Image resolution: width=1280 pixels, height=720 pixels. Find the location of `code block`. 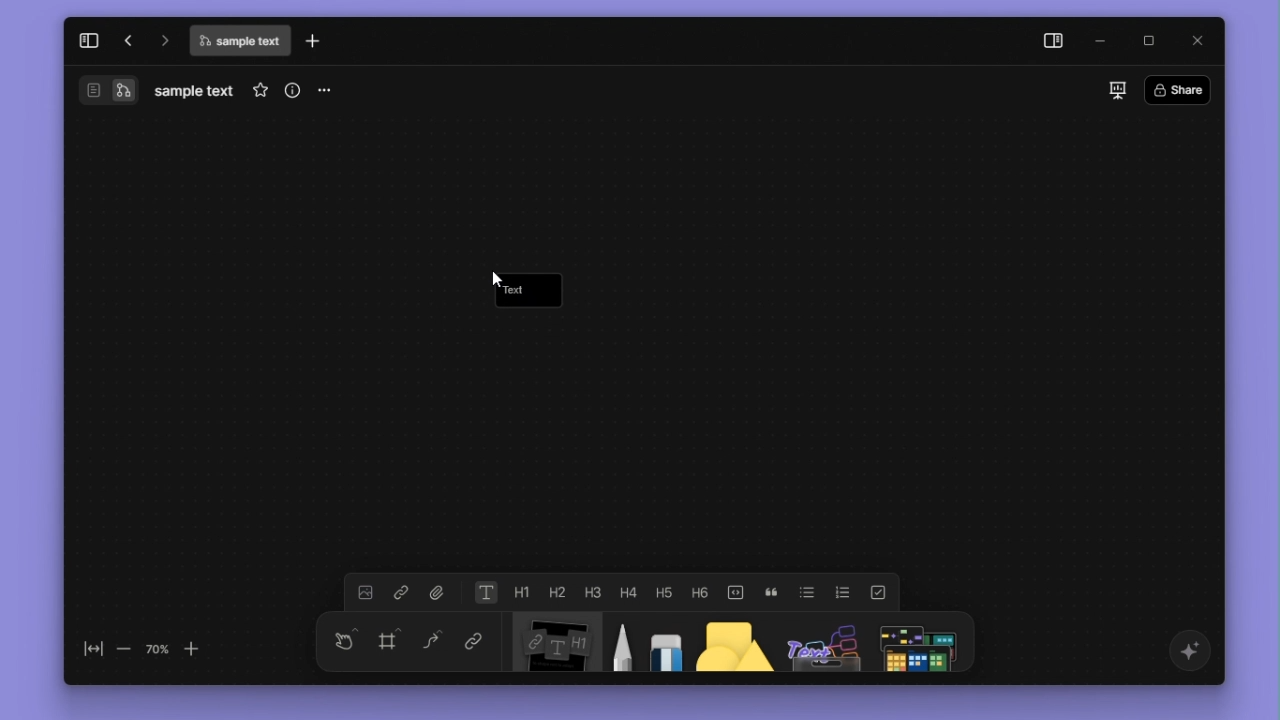

code block is located at coordinates (736, 590).